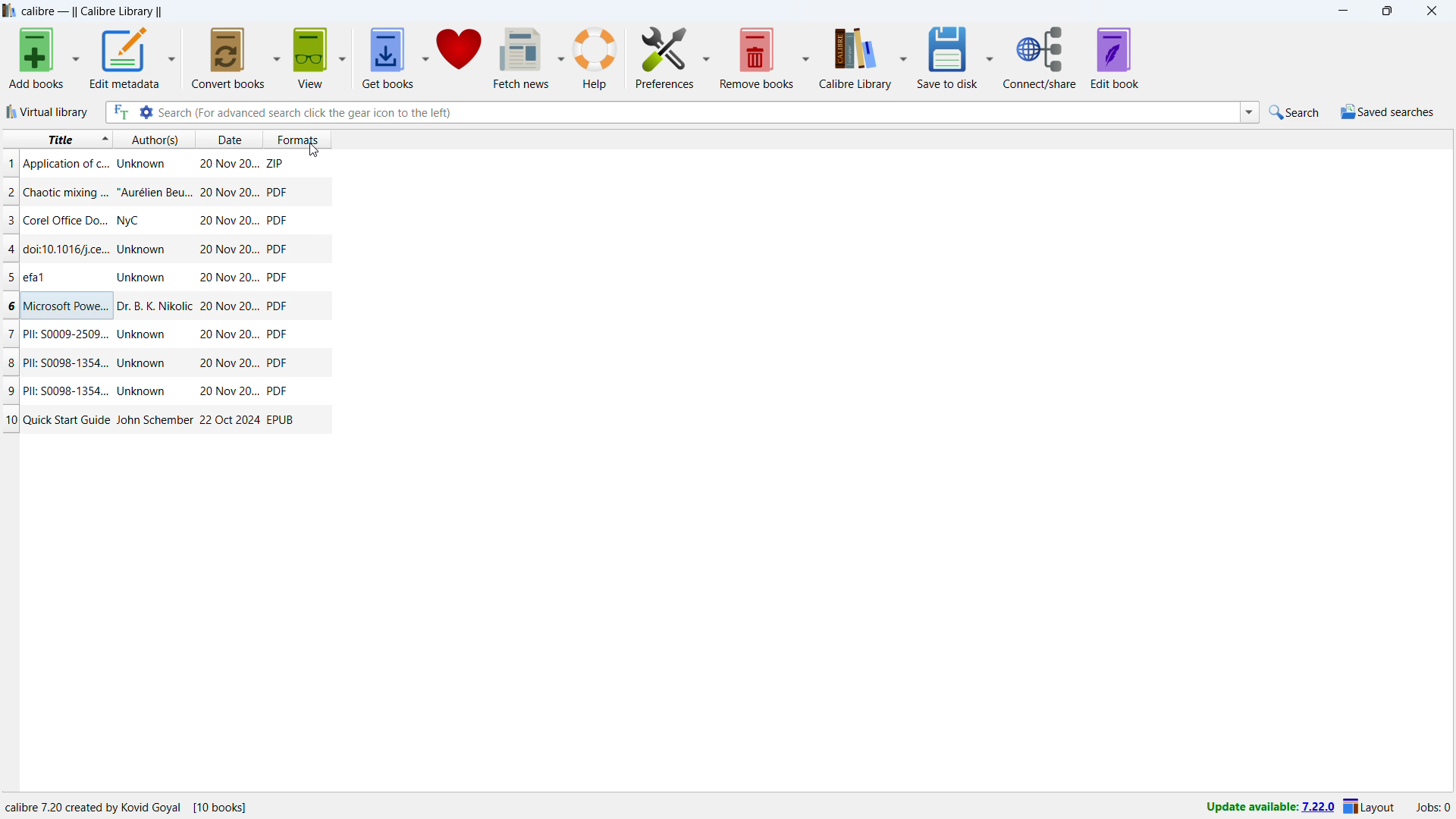 The height and width of the screenshot is (819, 1456). What do you see at coordinates (278, 307) in the screenshot?
I see `PDF` at bounding box center [278, 307].